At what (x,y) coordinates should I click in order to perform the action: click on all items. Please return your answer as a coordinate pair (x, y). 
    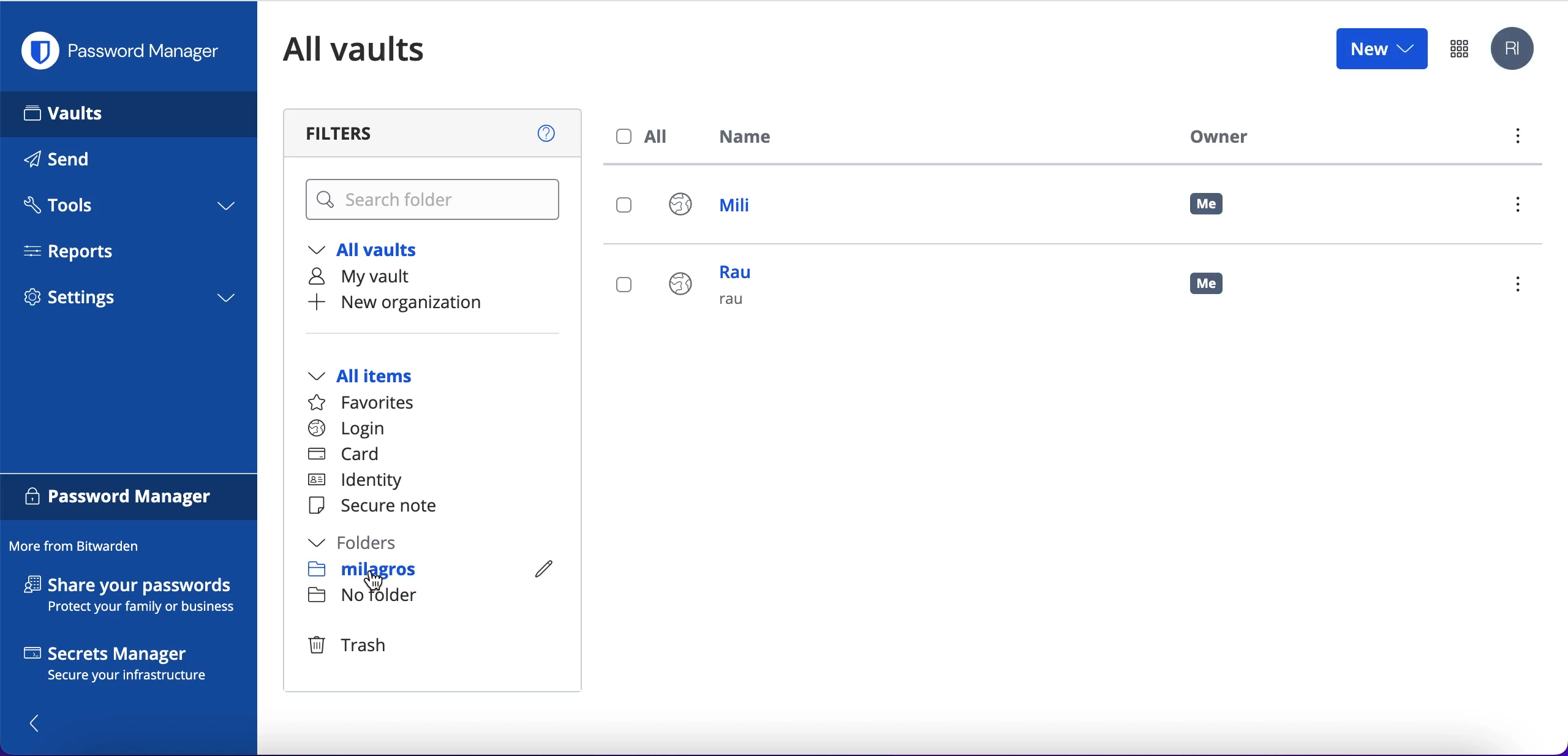
    Looking at the image, I should click on (379, 377).